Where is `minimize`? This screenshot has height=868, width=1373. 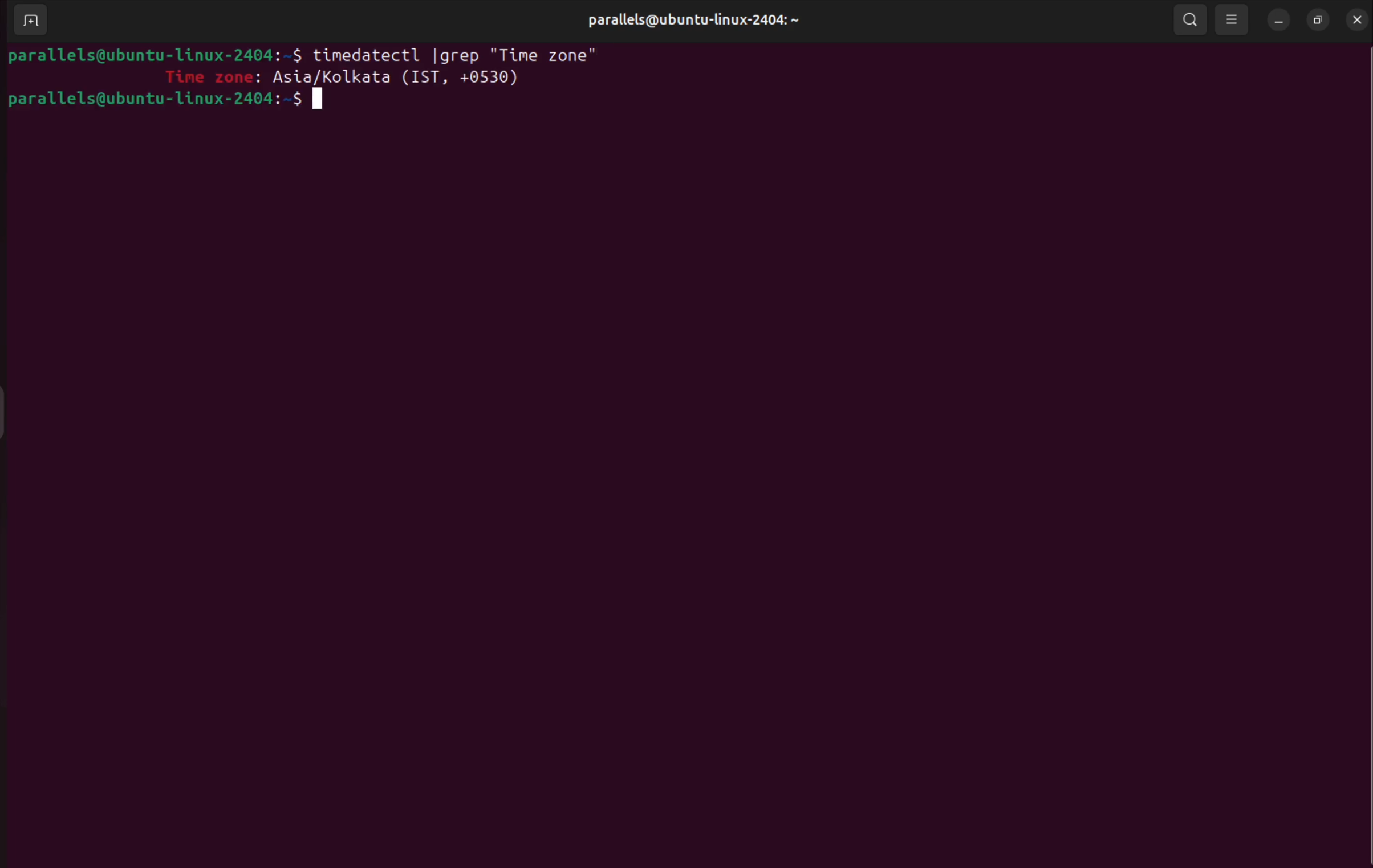 minimize is located at coordinates (1277, 20).